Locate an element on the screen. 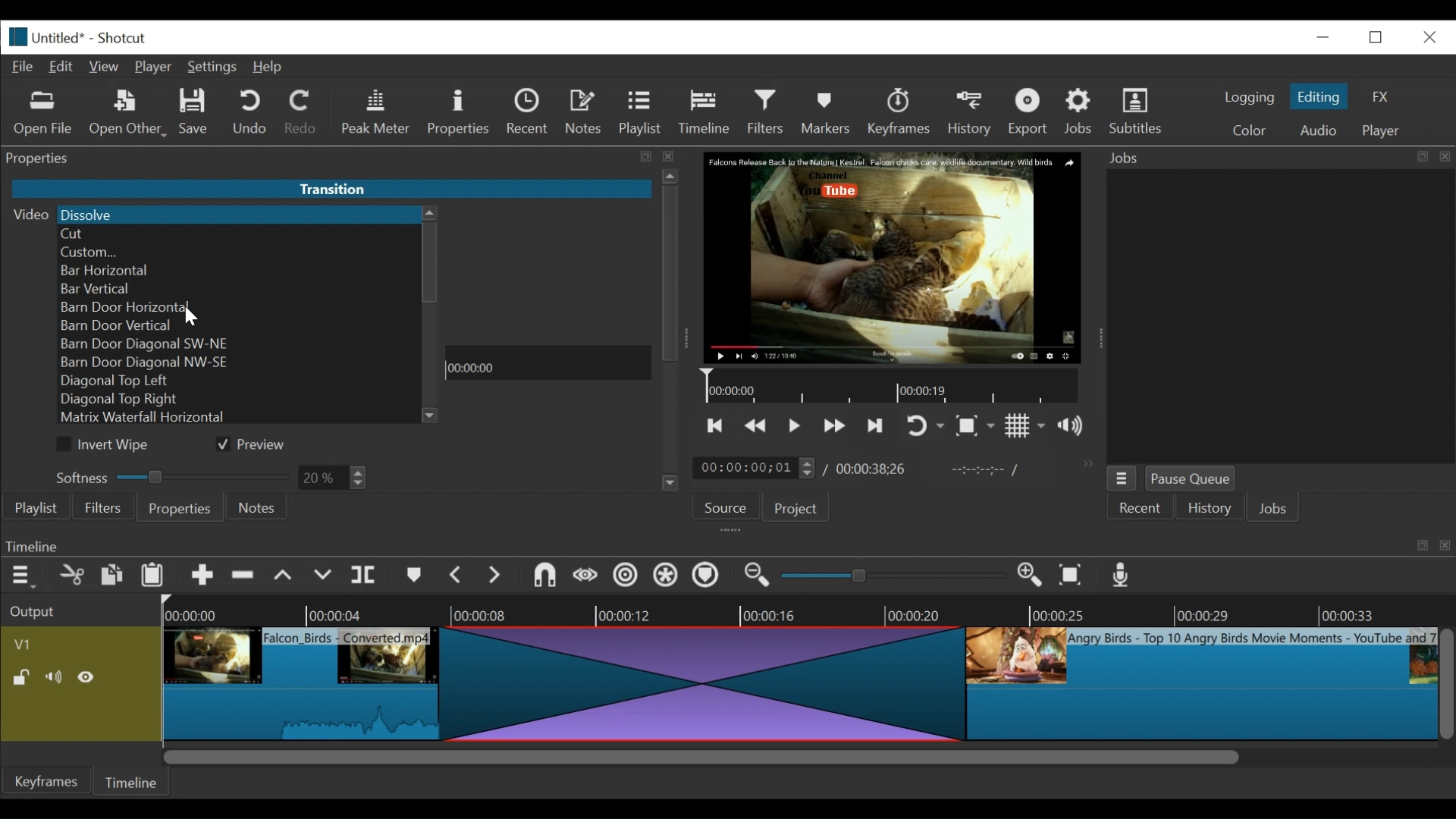 This screenshot has width=1456, height=819. Zoom in is located at coordinates (1032, 576).